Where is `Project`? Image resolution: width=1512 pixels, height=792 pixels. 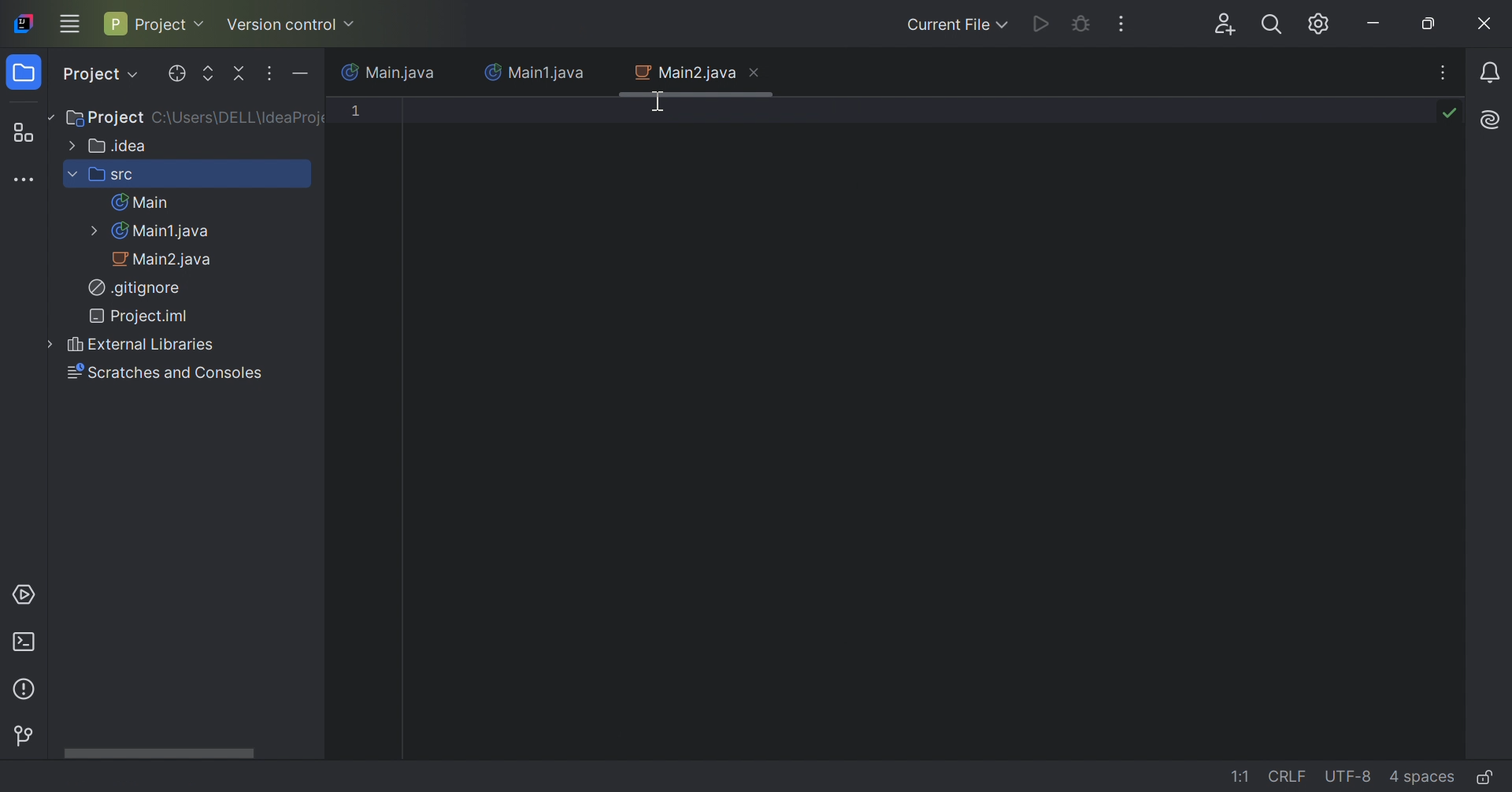
Project is located at coordinates (107, 120).